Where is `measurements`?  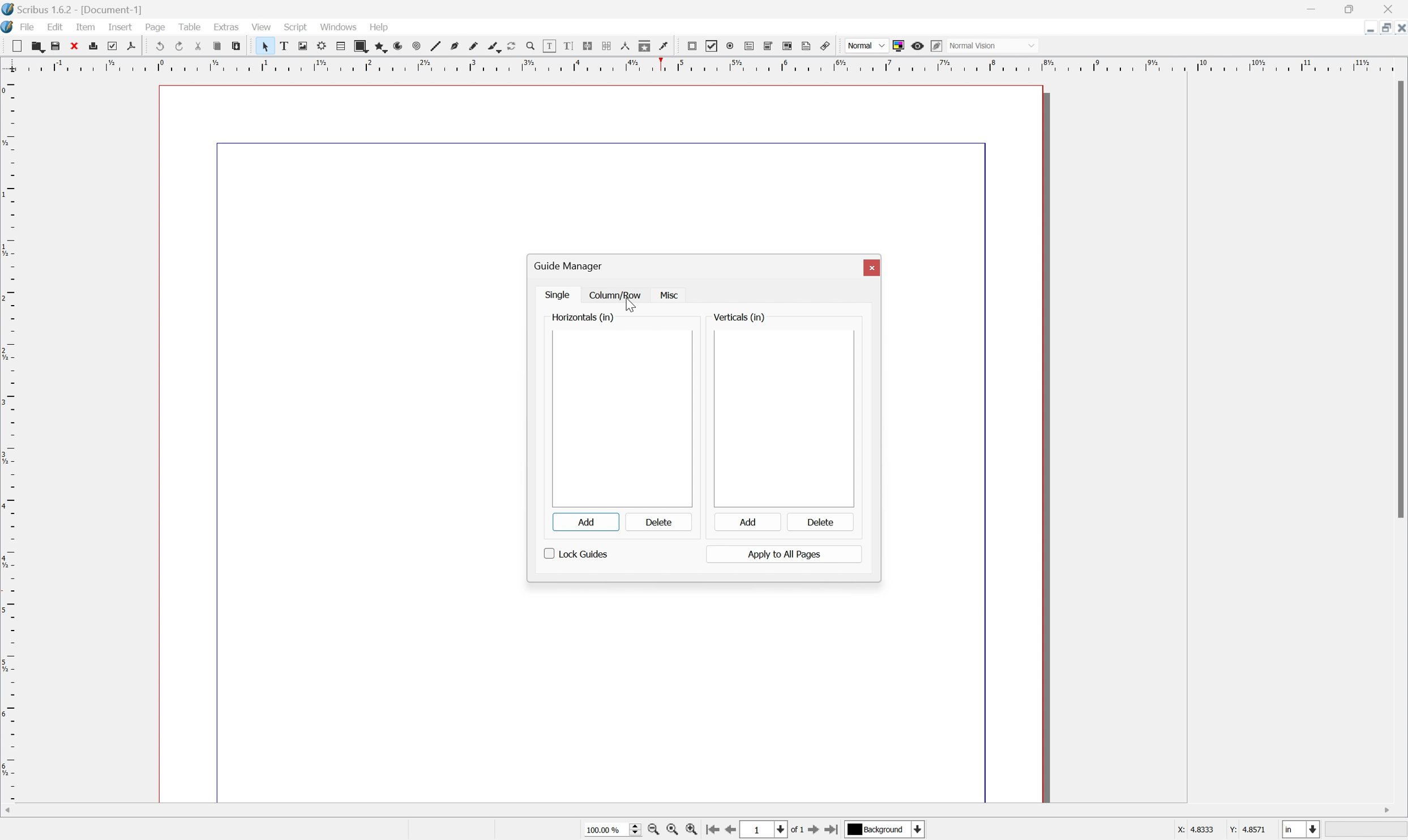 measurements is located at coordinates (624, 46).